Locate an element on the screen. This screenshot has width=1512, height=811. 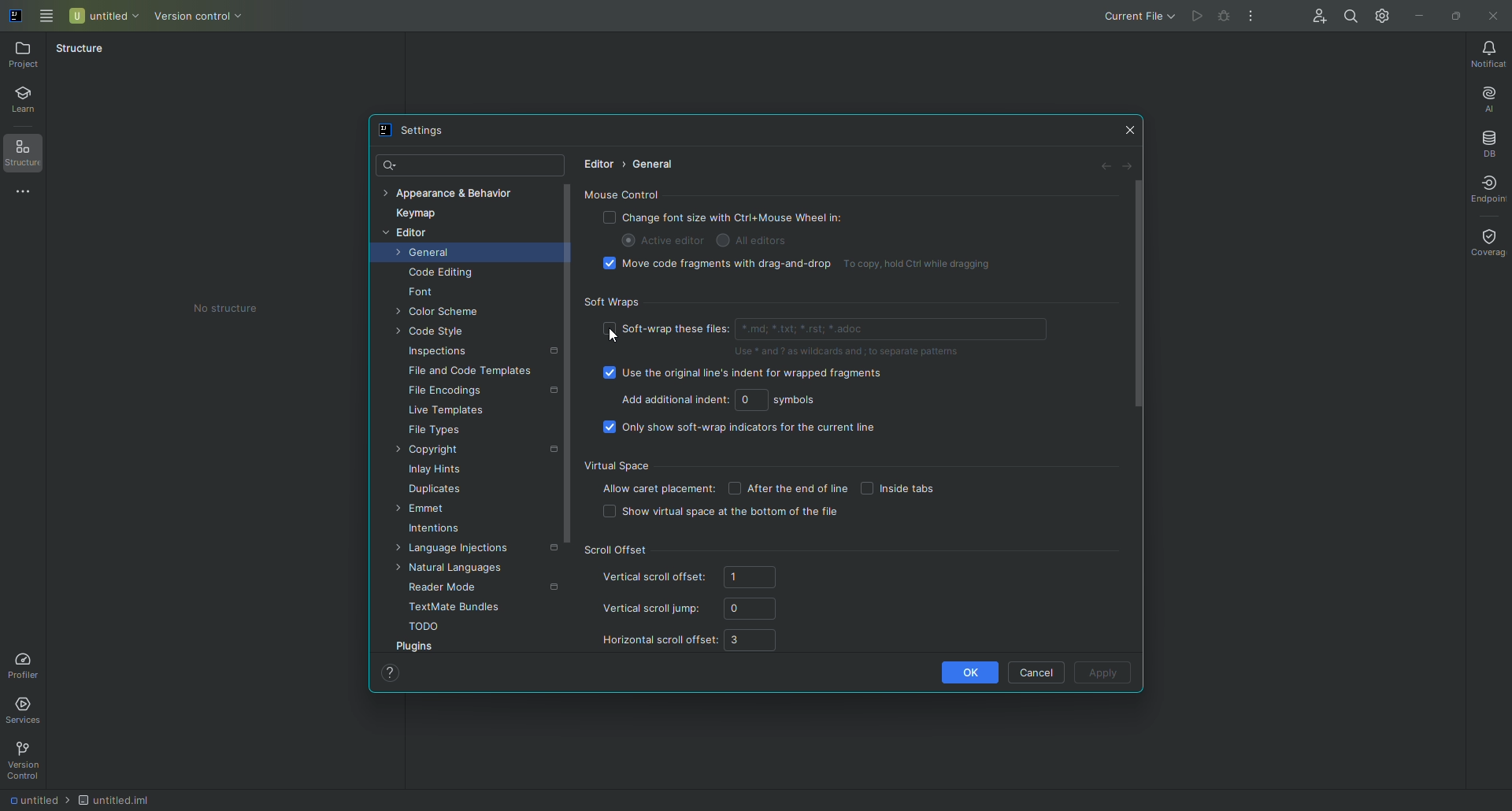
Color Scheme is located at coordinates (443, 313).